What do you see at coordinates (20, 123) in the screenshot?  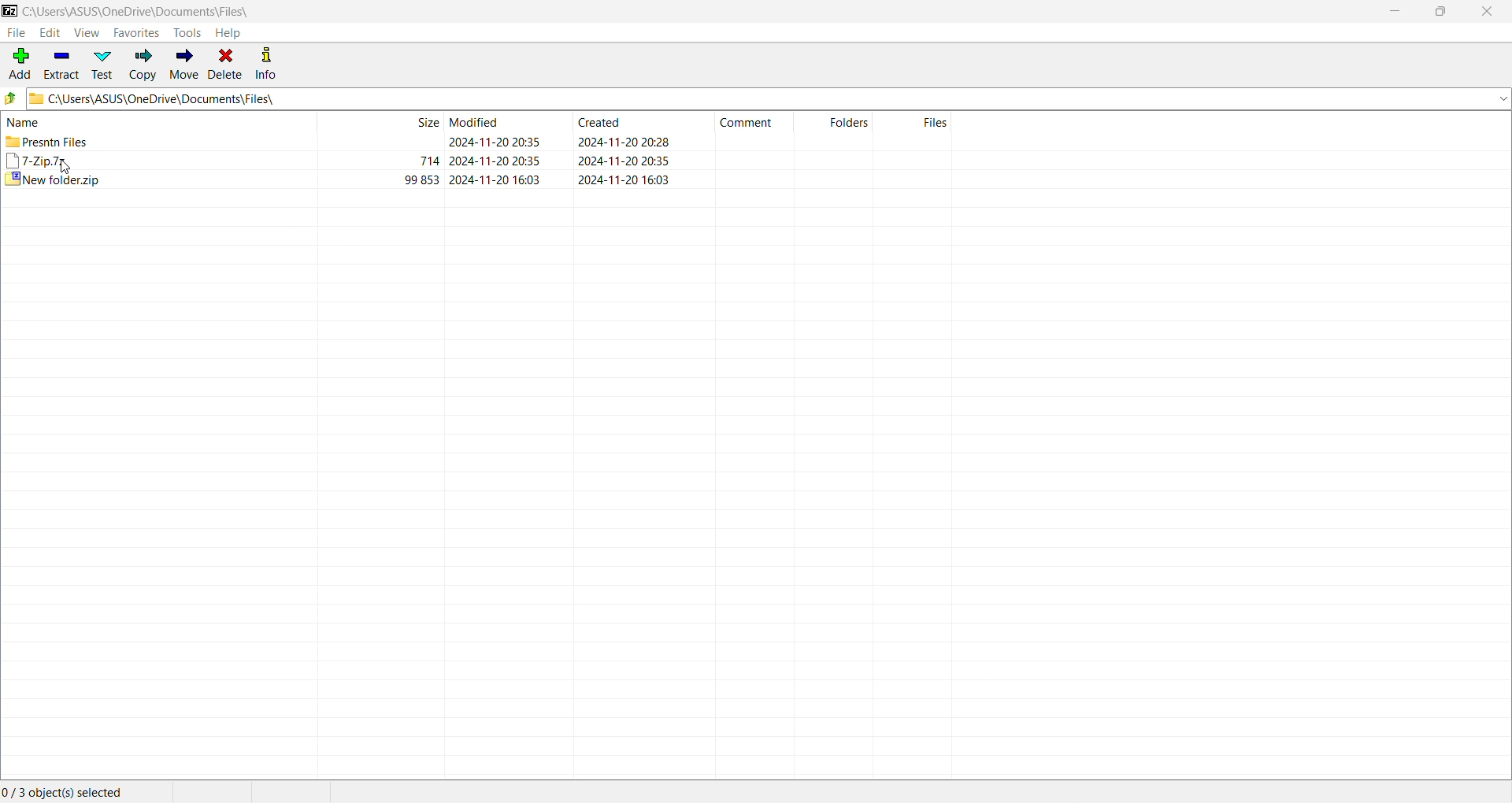 I see `Name` at bounding box center [20, 123].